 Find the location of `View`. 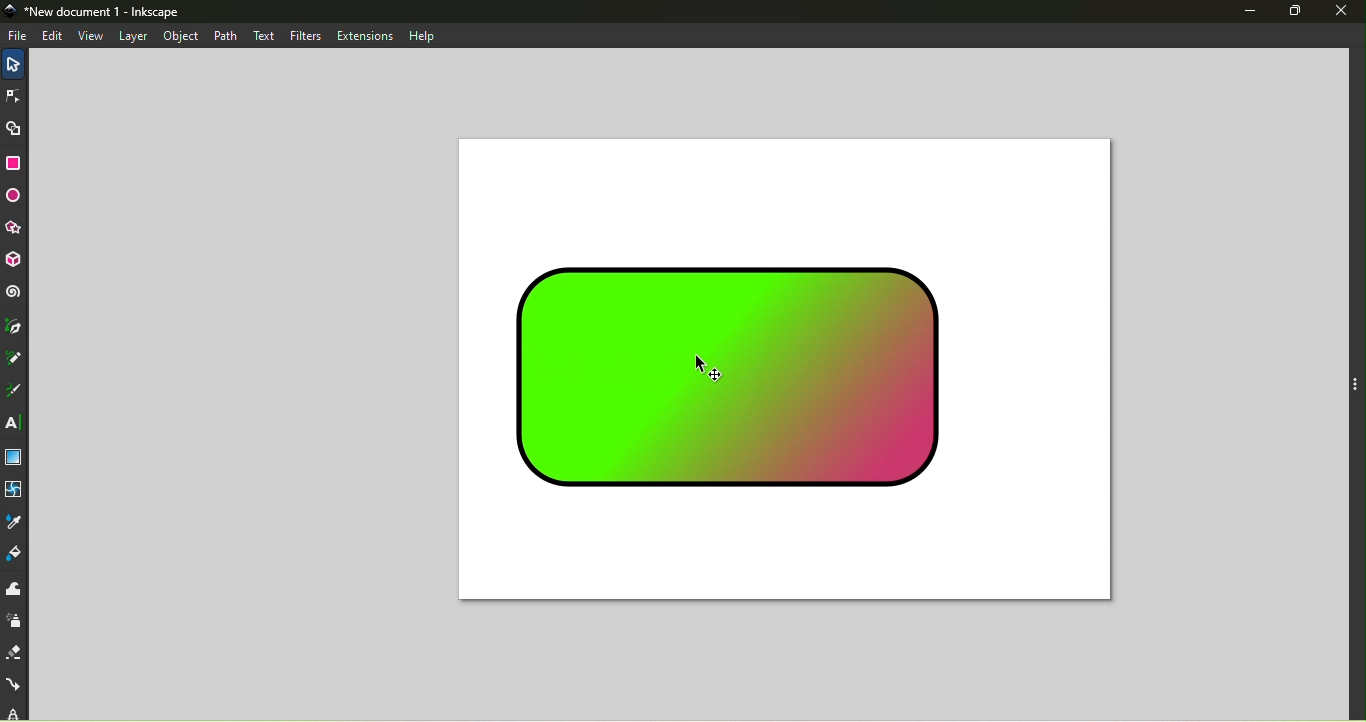

View is located at coordinates (90, 36).